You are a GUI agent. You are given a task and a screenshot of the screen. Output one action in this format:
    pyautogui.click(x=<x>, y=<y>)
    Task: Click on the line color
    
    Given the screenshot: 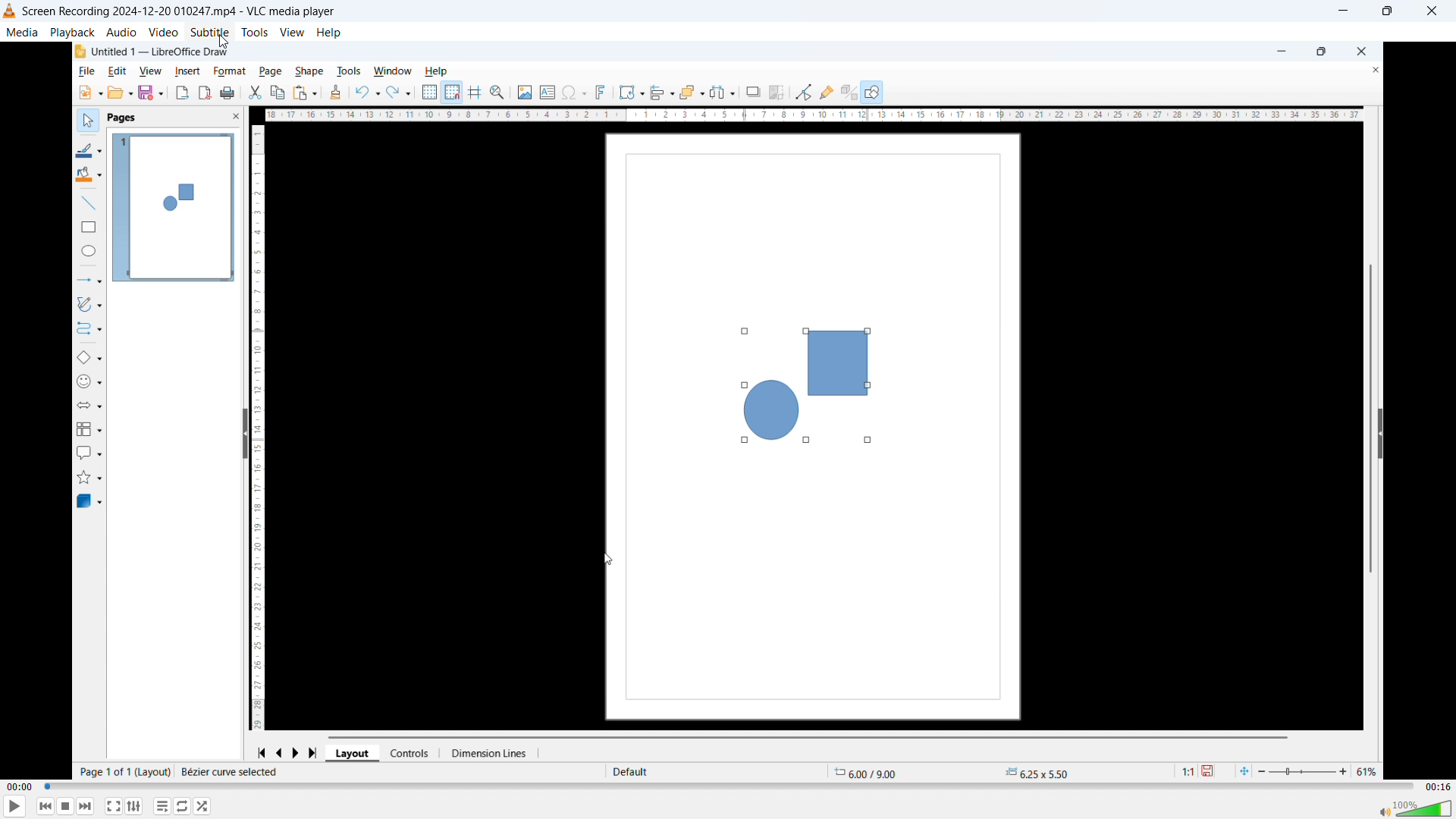 What is the action you would take?
    pyautogui.click(x=89, y=149)
    